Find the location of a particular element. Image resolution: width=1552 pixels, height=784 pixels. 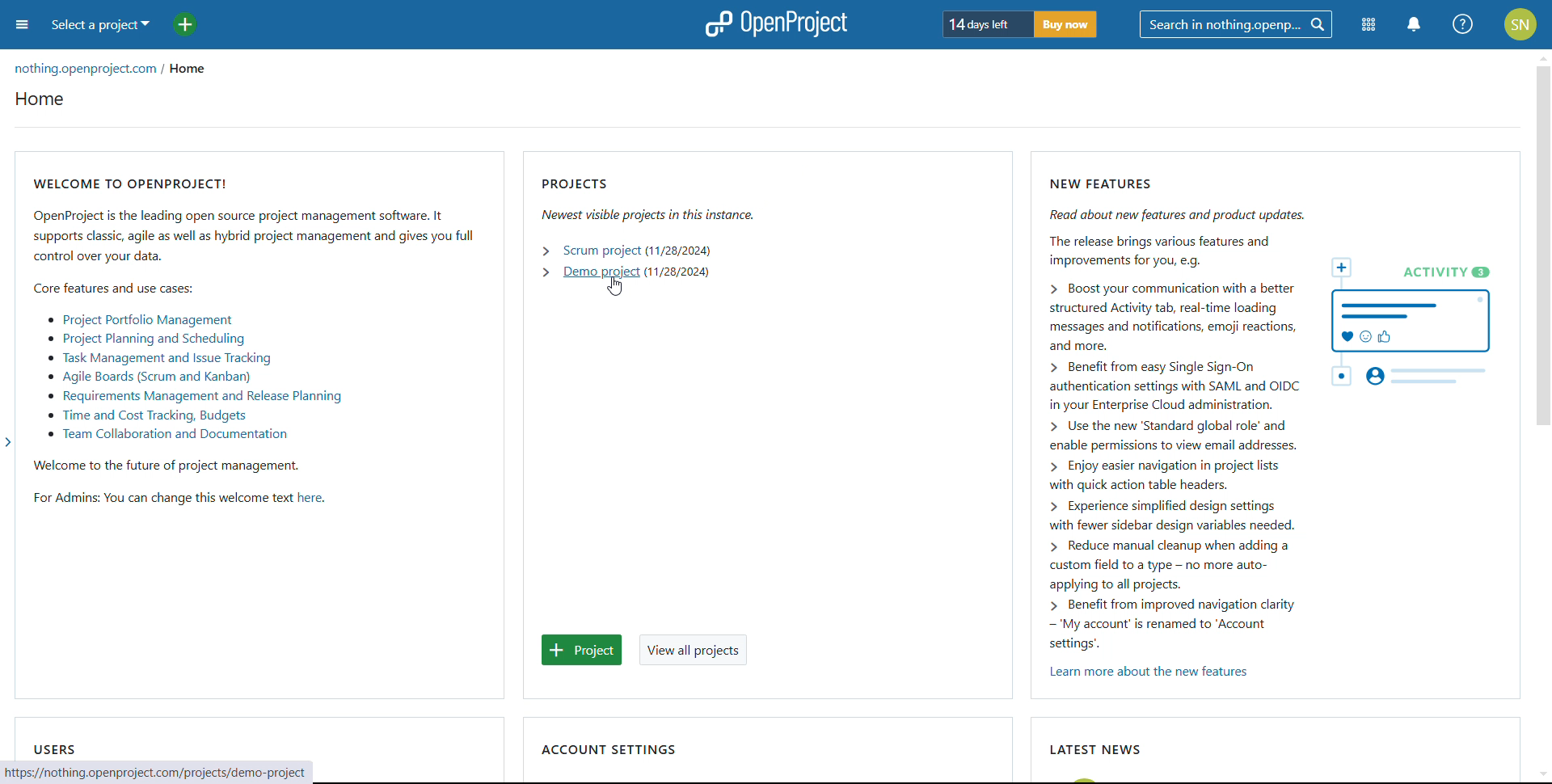

help is located at coordinates (1464, 24).